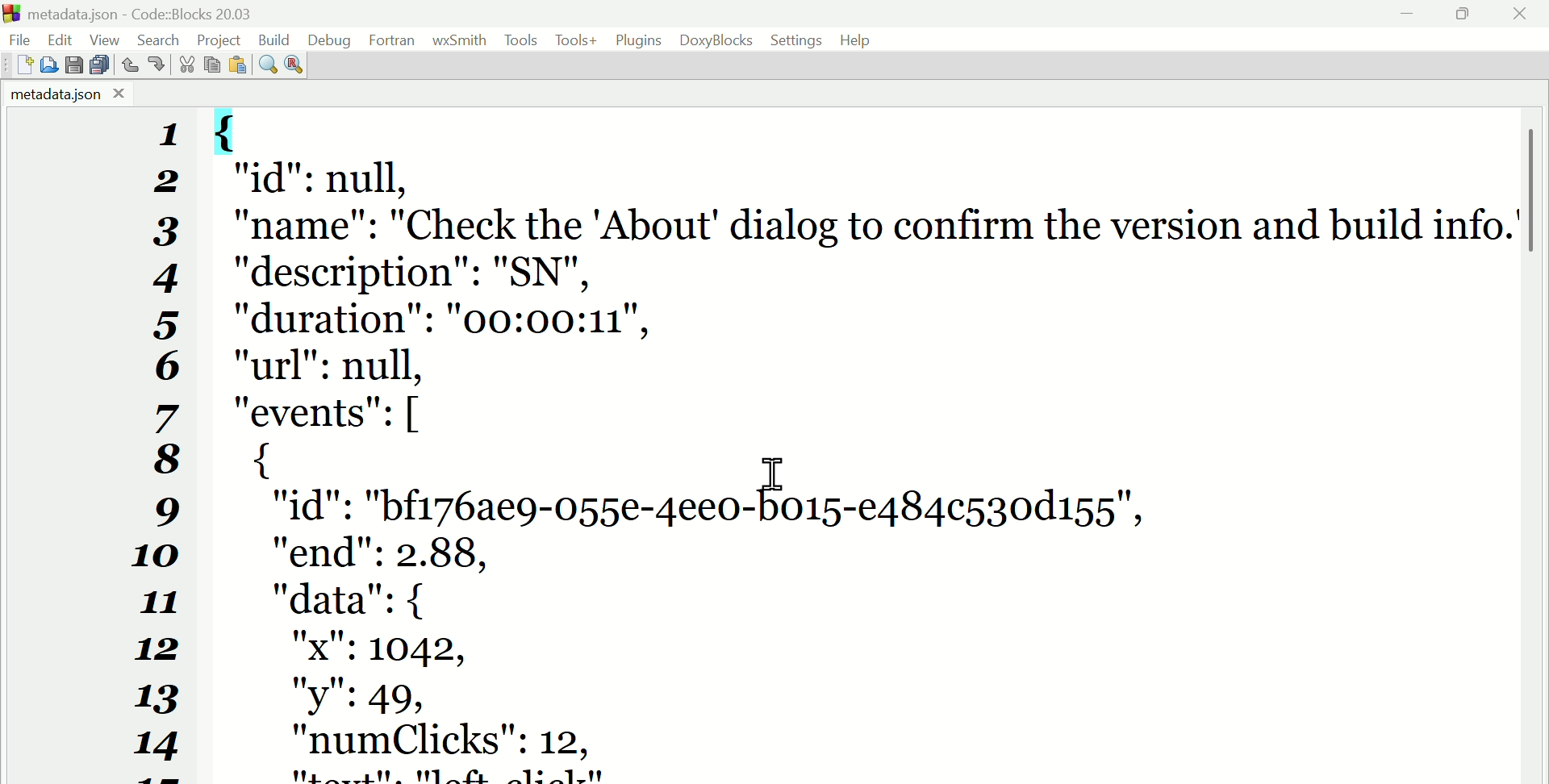 The height and width of the screenshot is (784, 1549). Describe the element at coordinates (328, 37) in the screenshot. I see `Debug` at that location.